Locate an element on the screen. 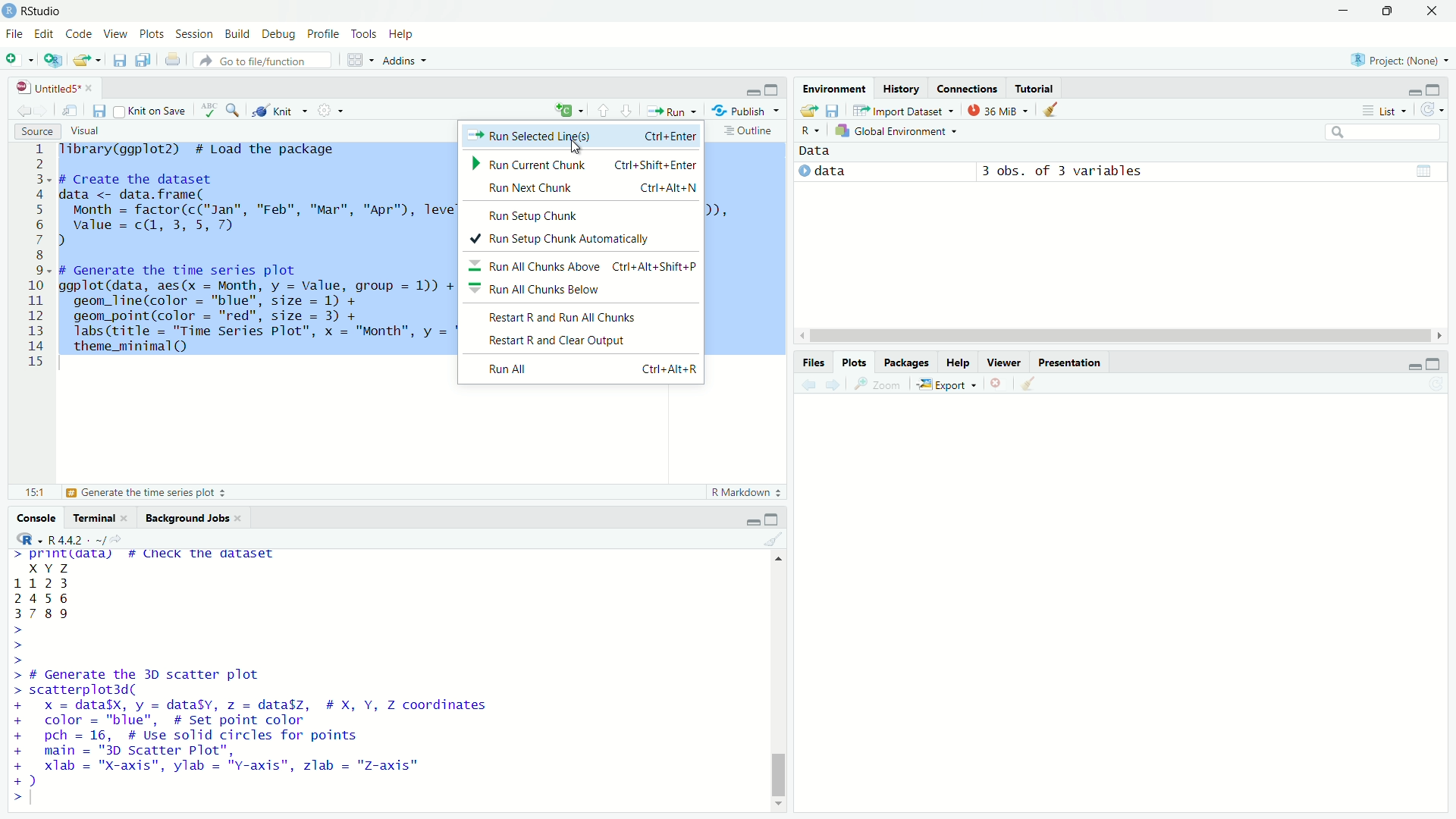  library to load the package is located at coordinates (212, 150).